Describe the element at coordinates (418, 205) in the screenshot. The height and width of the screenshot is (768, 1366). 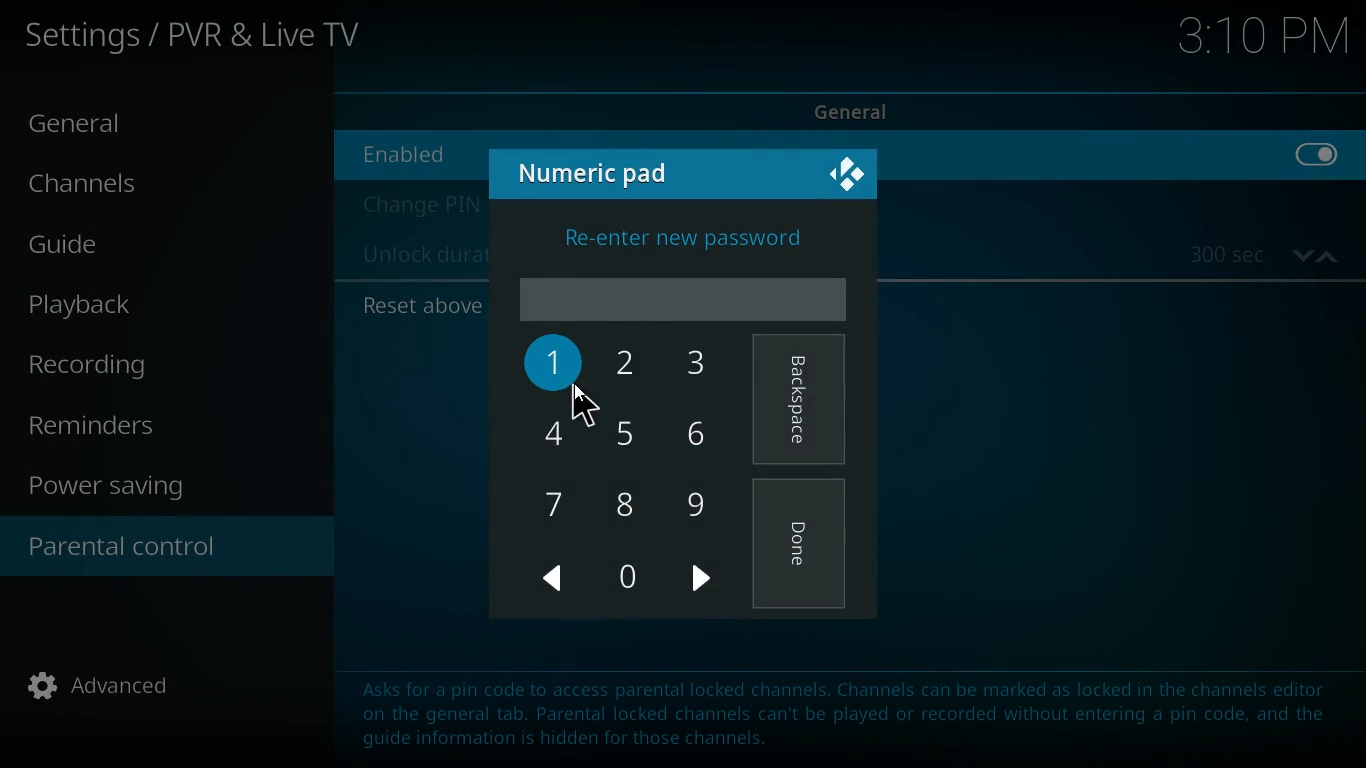
I see `change pin` at that location.